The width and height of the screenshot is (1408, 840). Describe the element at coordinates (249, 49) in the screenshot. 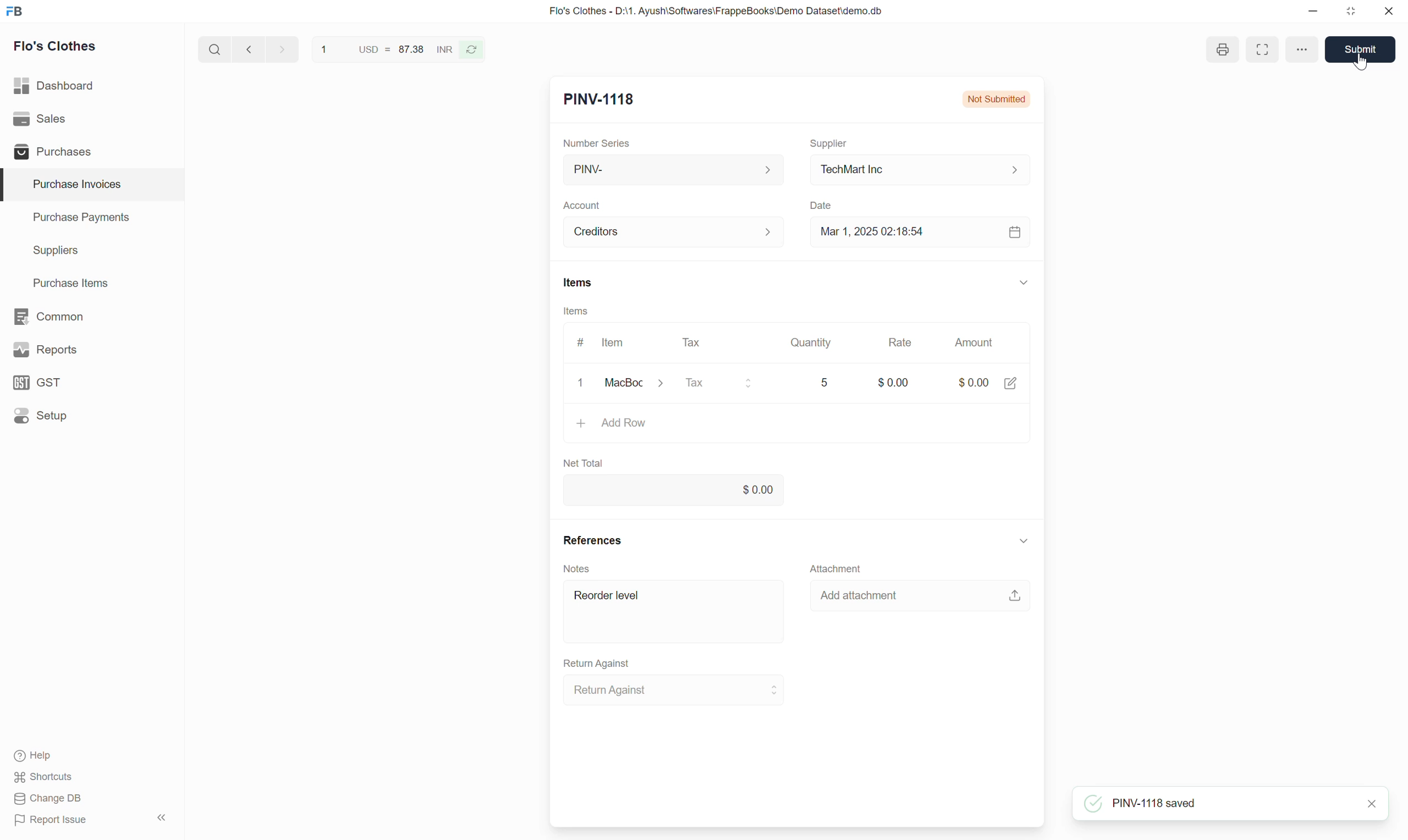

I see `Previous` at that location.